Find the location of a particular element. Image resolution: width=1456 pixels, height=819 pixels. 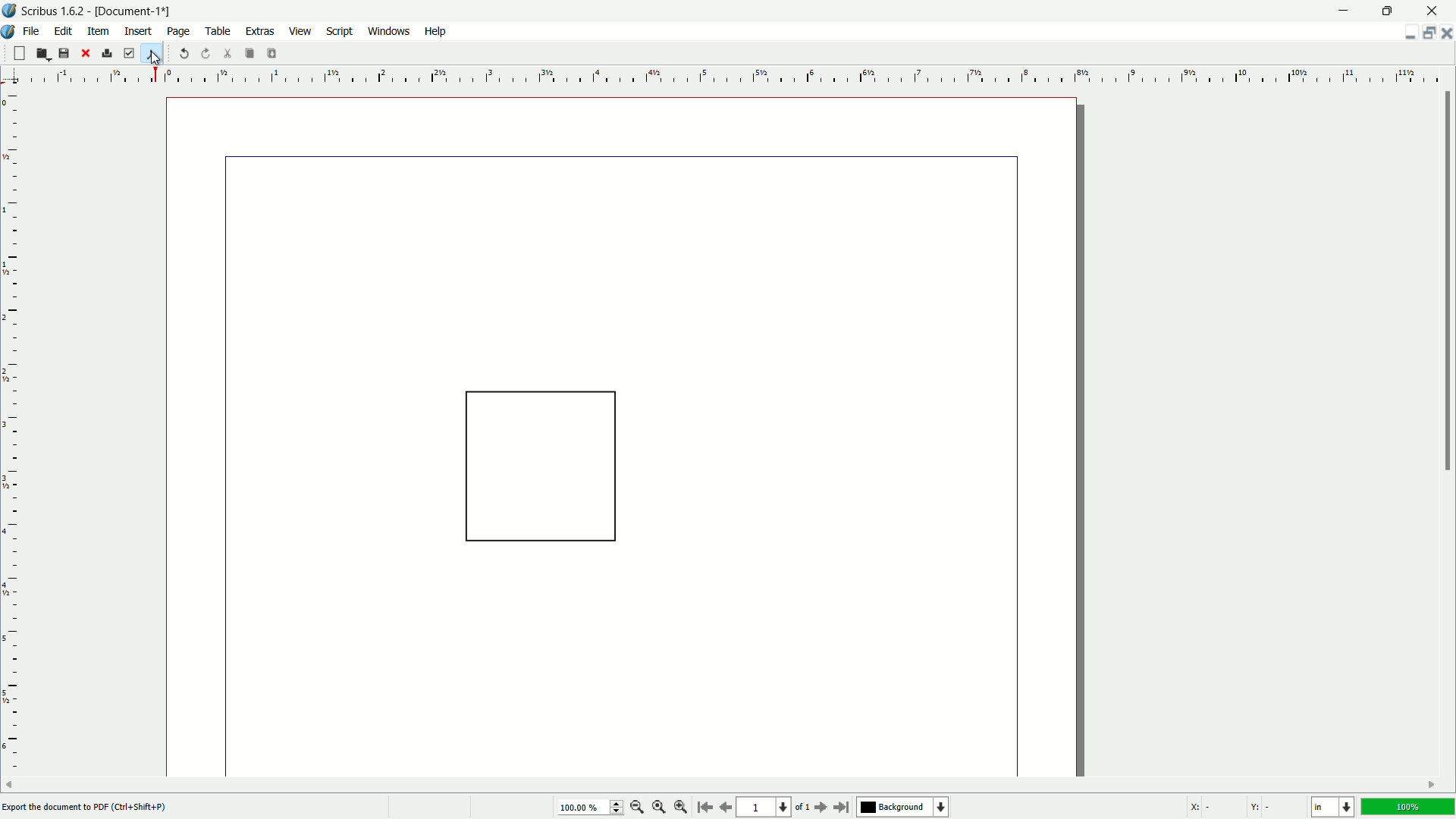

go to previous page is located at coordinates (723, 808).